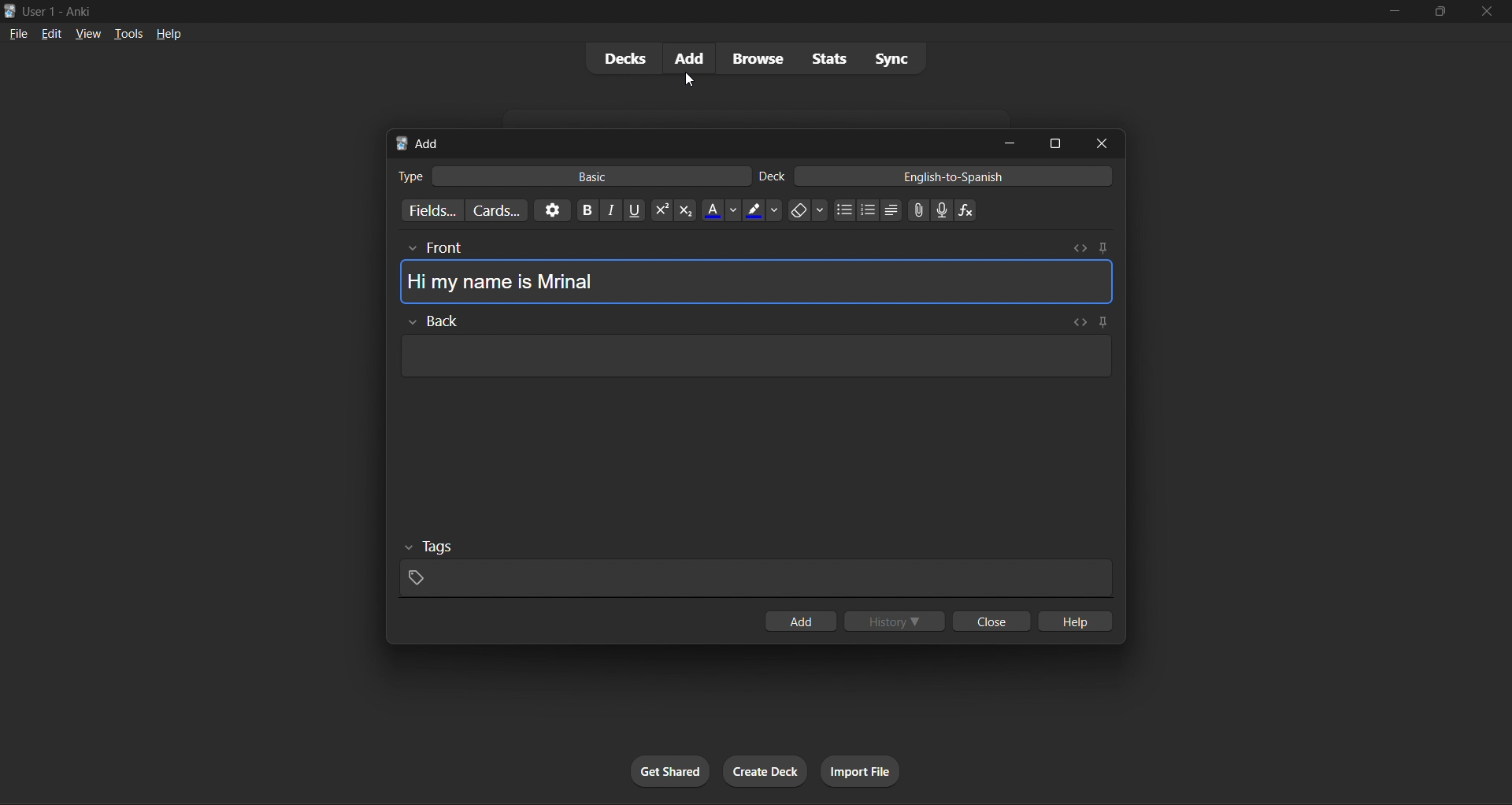 The image size is (1512, 805). I want to click on add card title bar, so click(685, 140).